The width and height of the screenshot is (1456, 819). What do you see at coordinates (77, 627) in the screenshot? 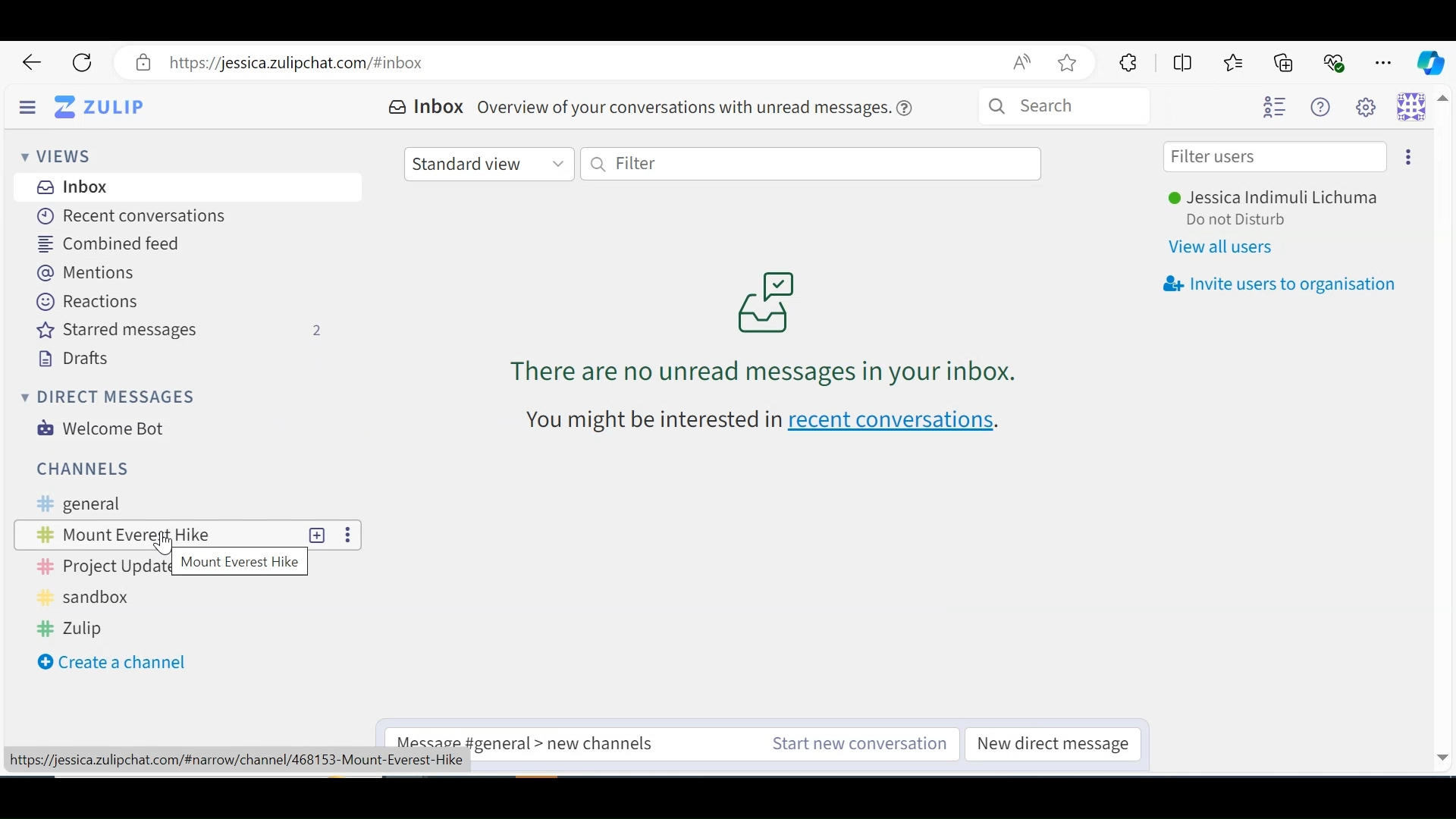
I see `Zulip` at bounding box center [77, 627].